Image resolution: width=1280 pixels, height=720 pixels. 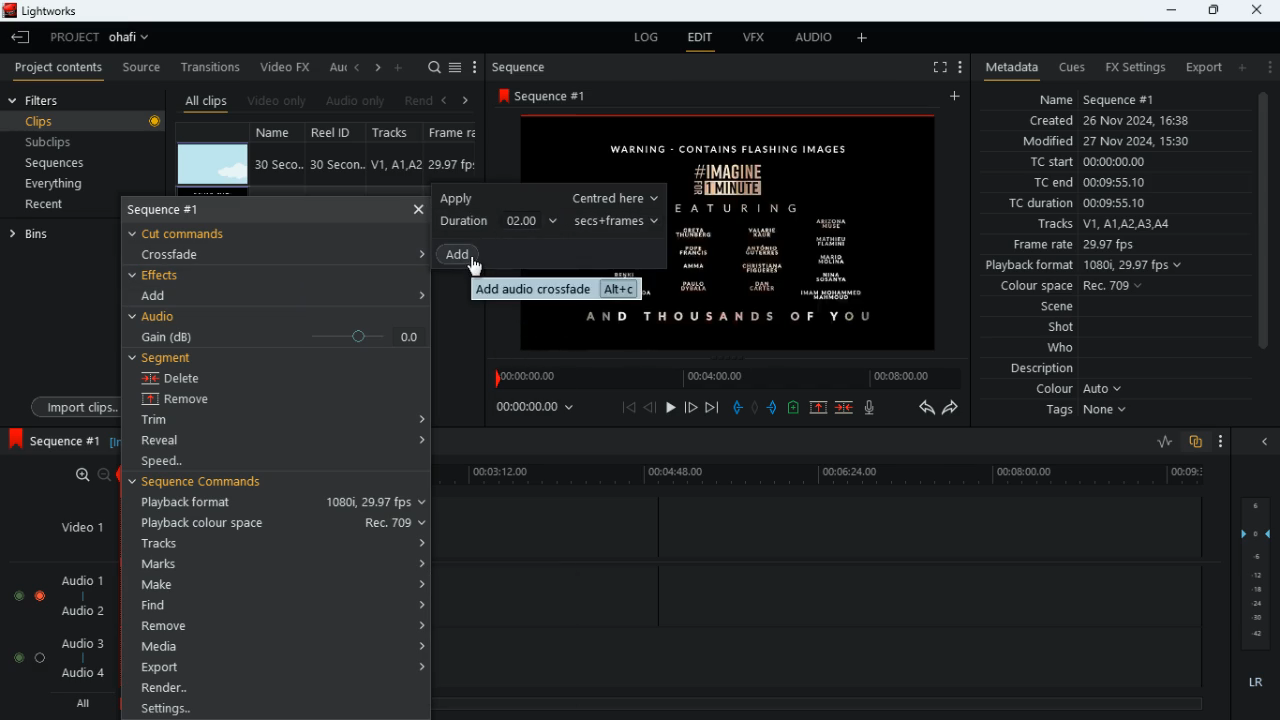 What do you see at coordinates (670, 409) in the screenshot?
I see `play` at bounding box center [670, 409].